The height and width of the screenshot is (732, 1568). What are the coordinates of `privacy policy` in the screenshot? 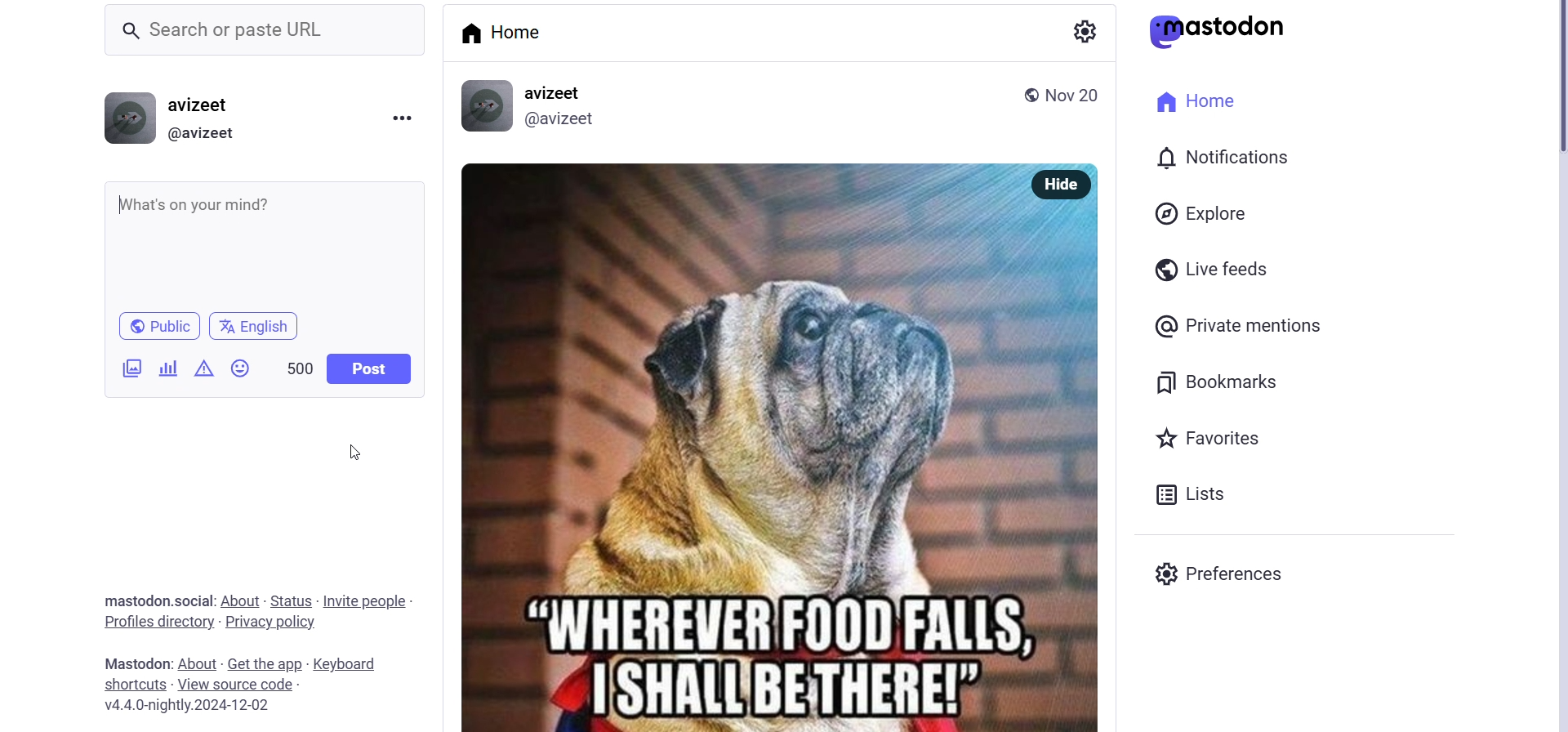 It's located at (283, 625).